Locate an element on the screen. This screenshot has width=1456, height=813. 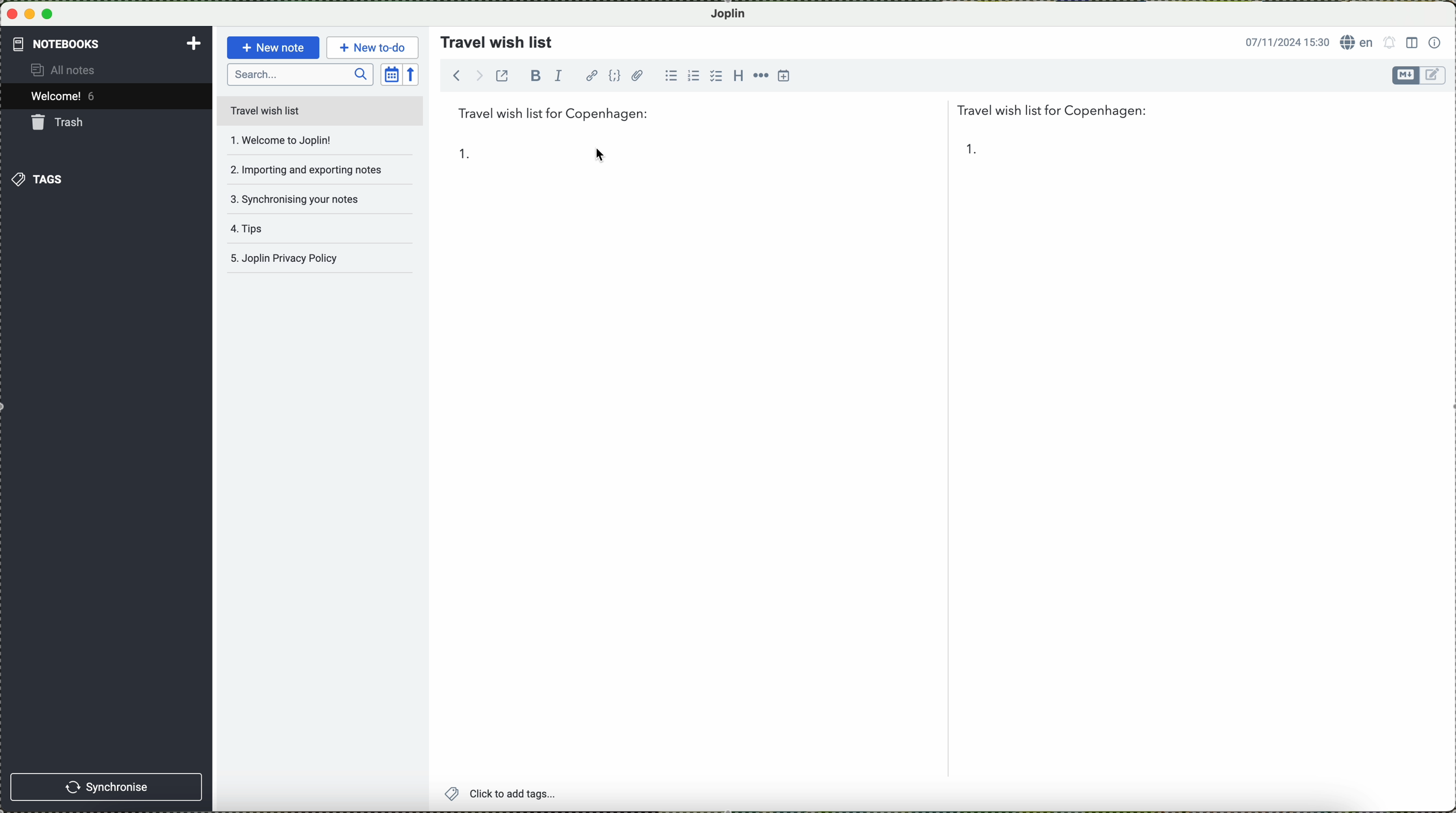
language is located at coordinates (1357, 42).